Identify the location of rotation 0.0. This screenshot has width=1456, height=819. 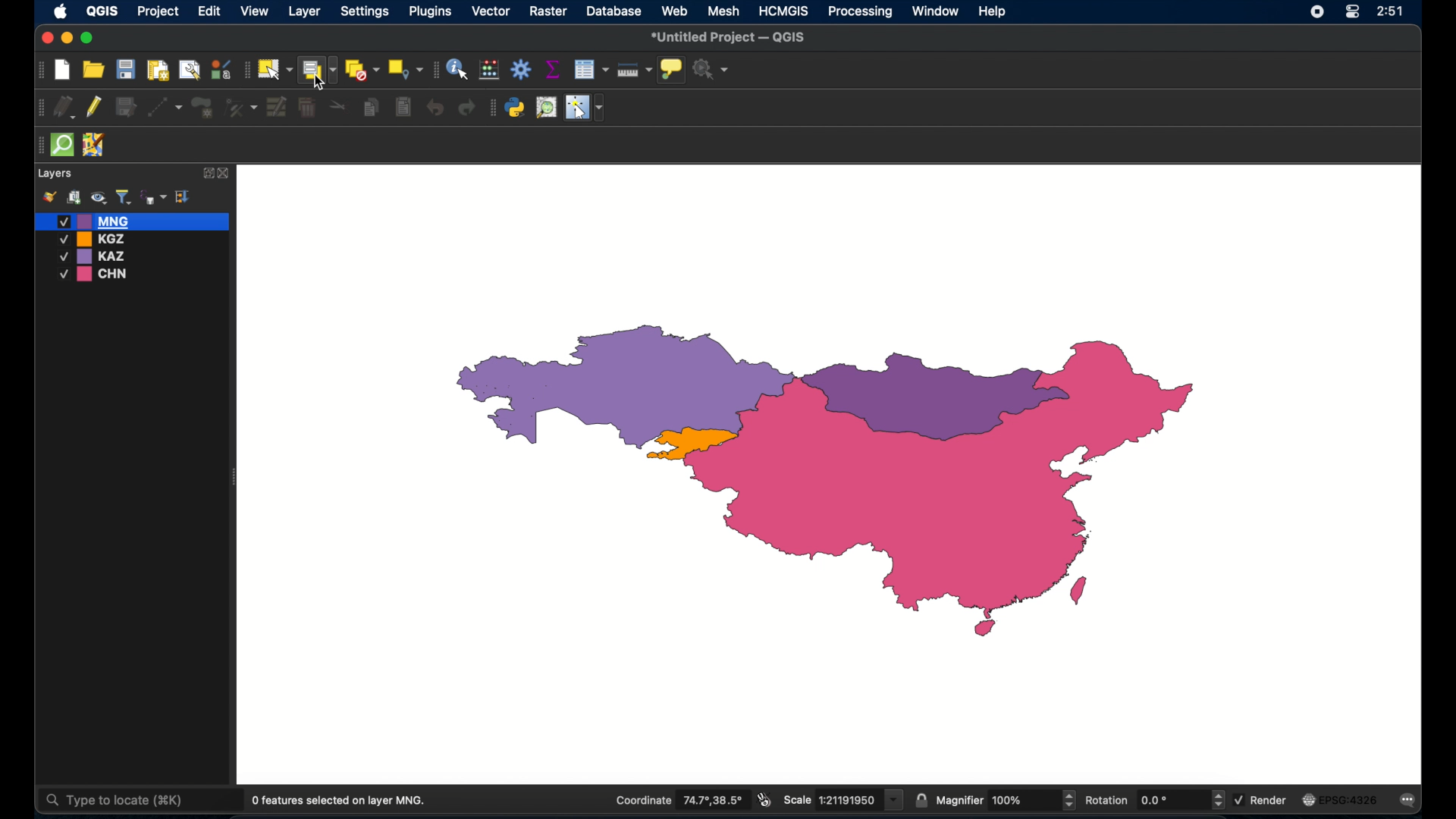
(1156, 799).